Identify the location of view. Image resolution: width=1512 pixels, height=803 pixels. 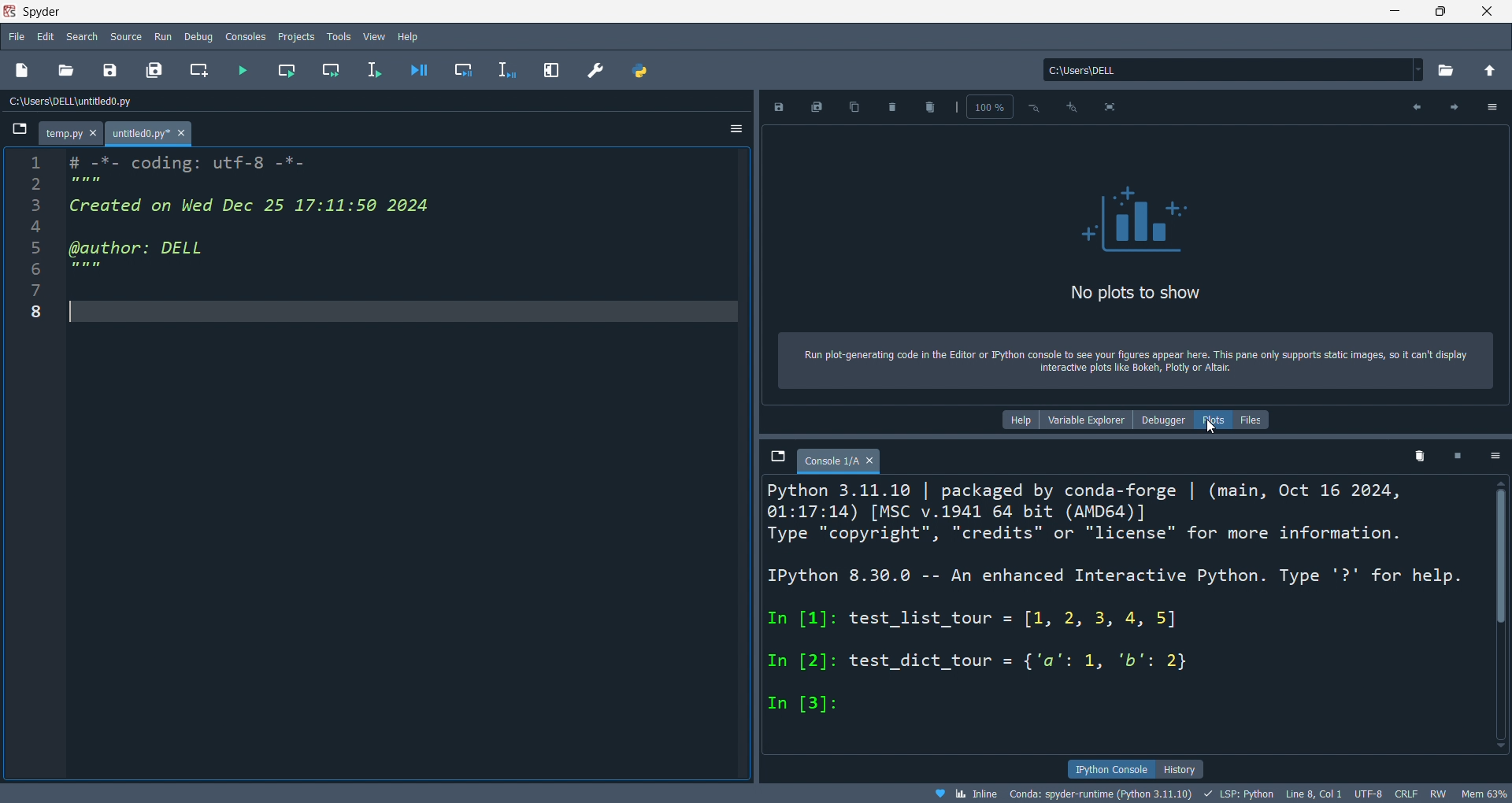
(374, 35).